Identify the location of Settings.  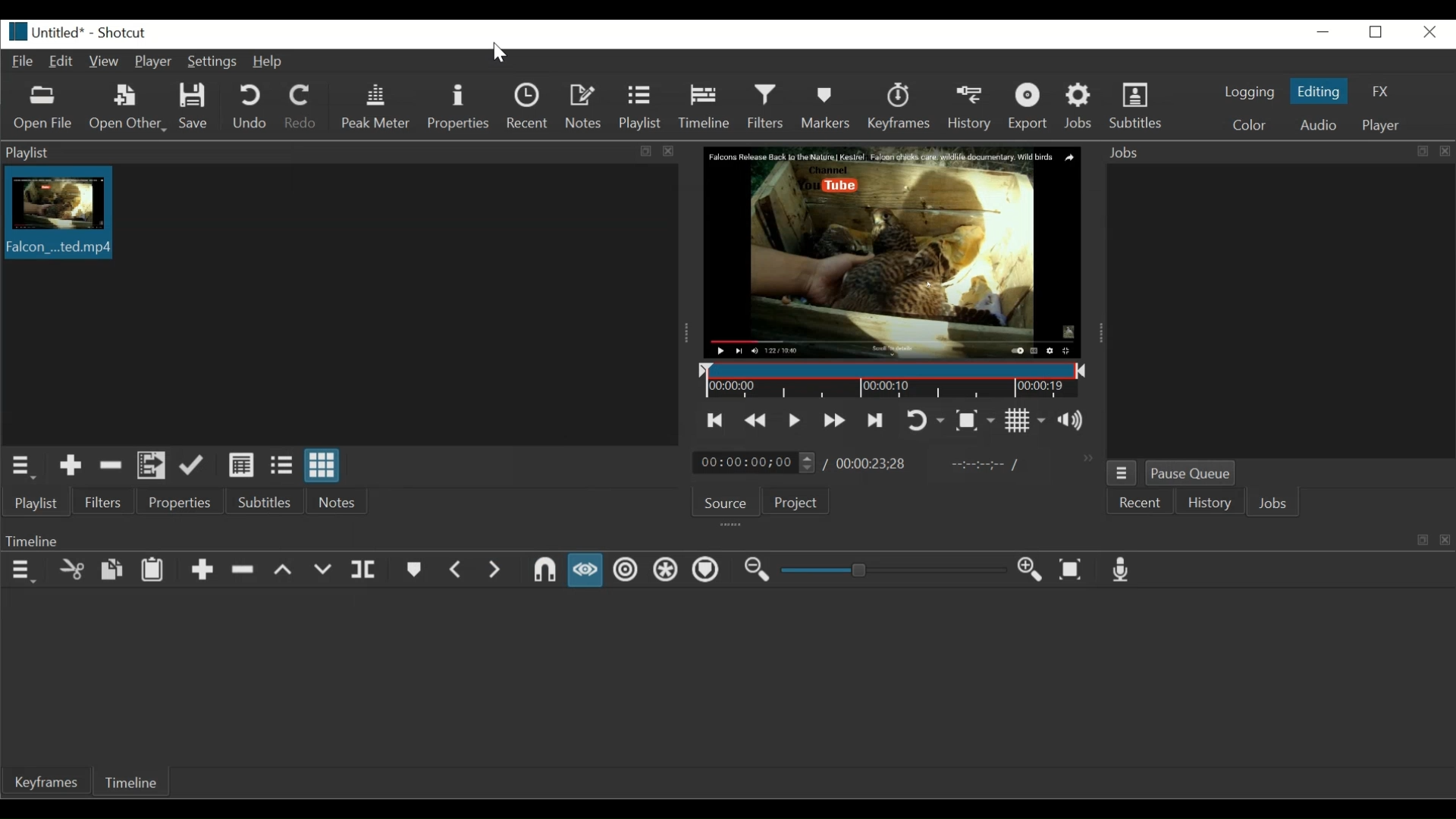
(215, 63).